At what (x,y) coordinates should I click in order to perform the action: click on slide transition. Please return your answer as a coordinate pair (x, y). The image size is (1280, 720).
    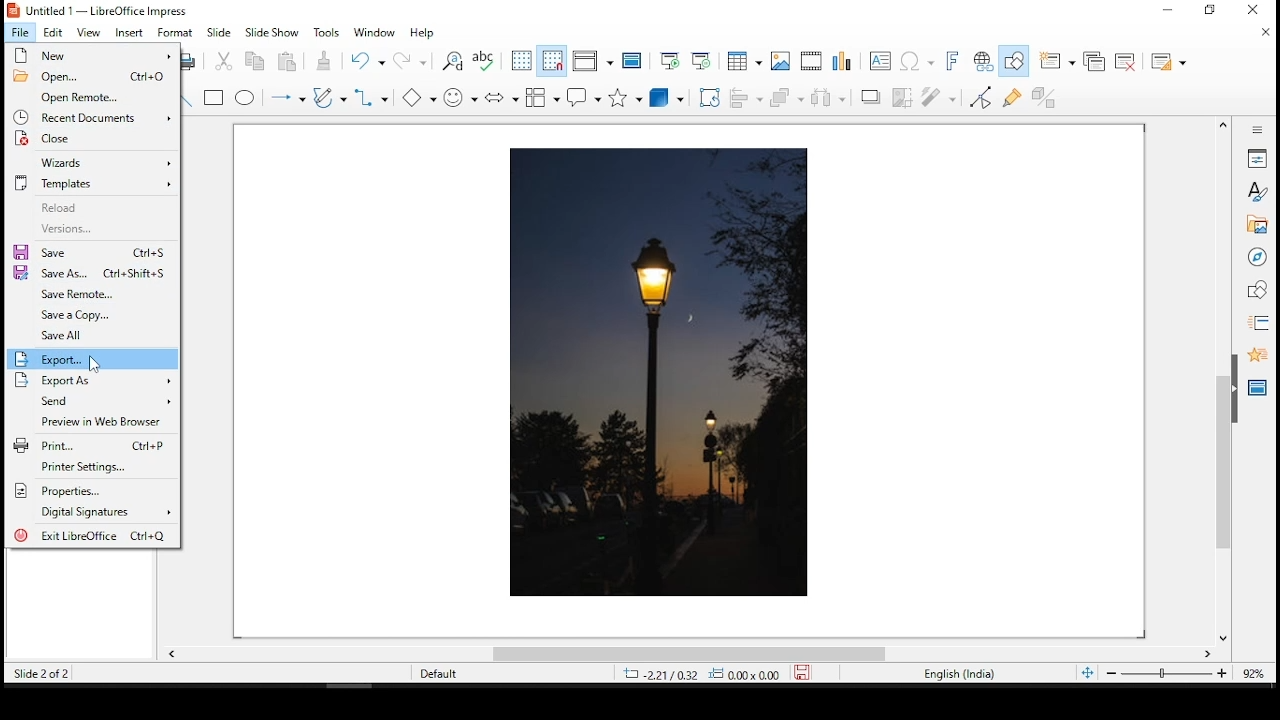
    Looking at the image, I should click on (1261, 324).